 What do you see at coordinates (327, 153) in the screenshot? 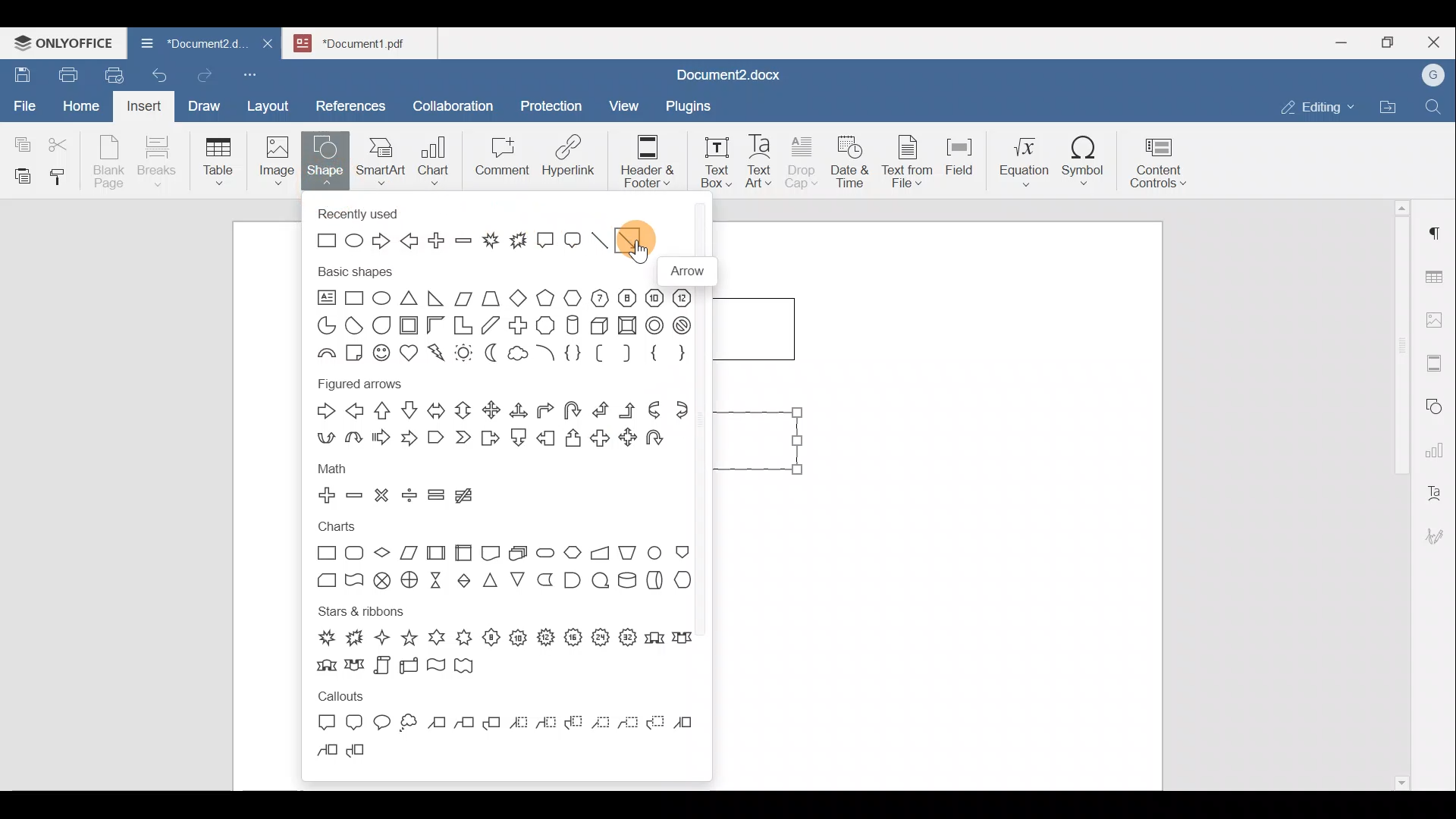
I see `Shape` at bounding box center [327, 153].